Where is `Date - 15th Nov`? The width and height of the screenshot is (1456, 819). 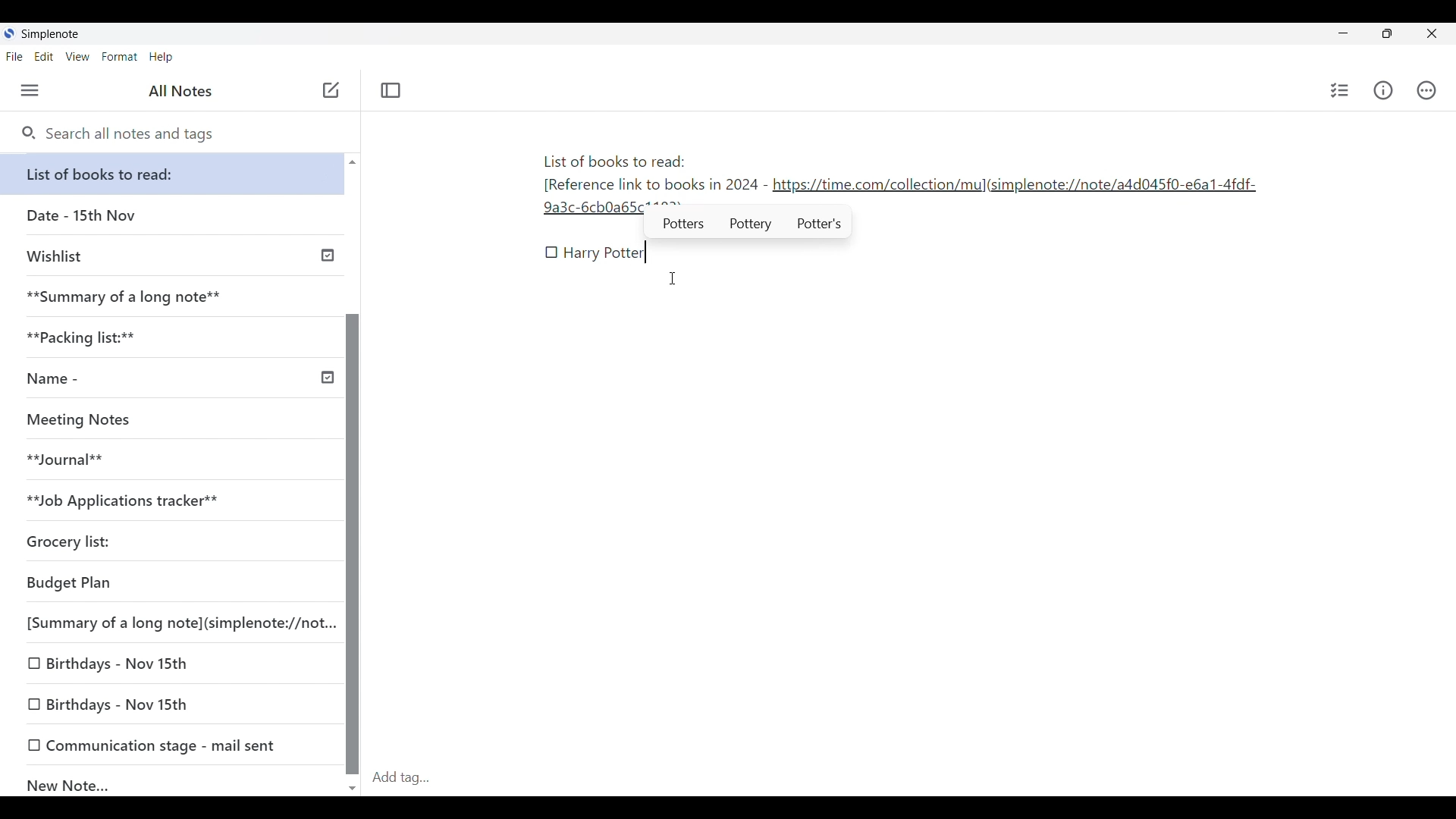
Date - 15th Nov is located at coordinates (173, 215).